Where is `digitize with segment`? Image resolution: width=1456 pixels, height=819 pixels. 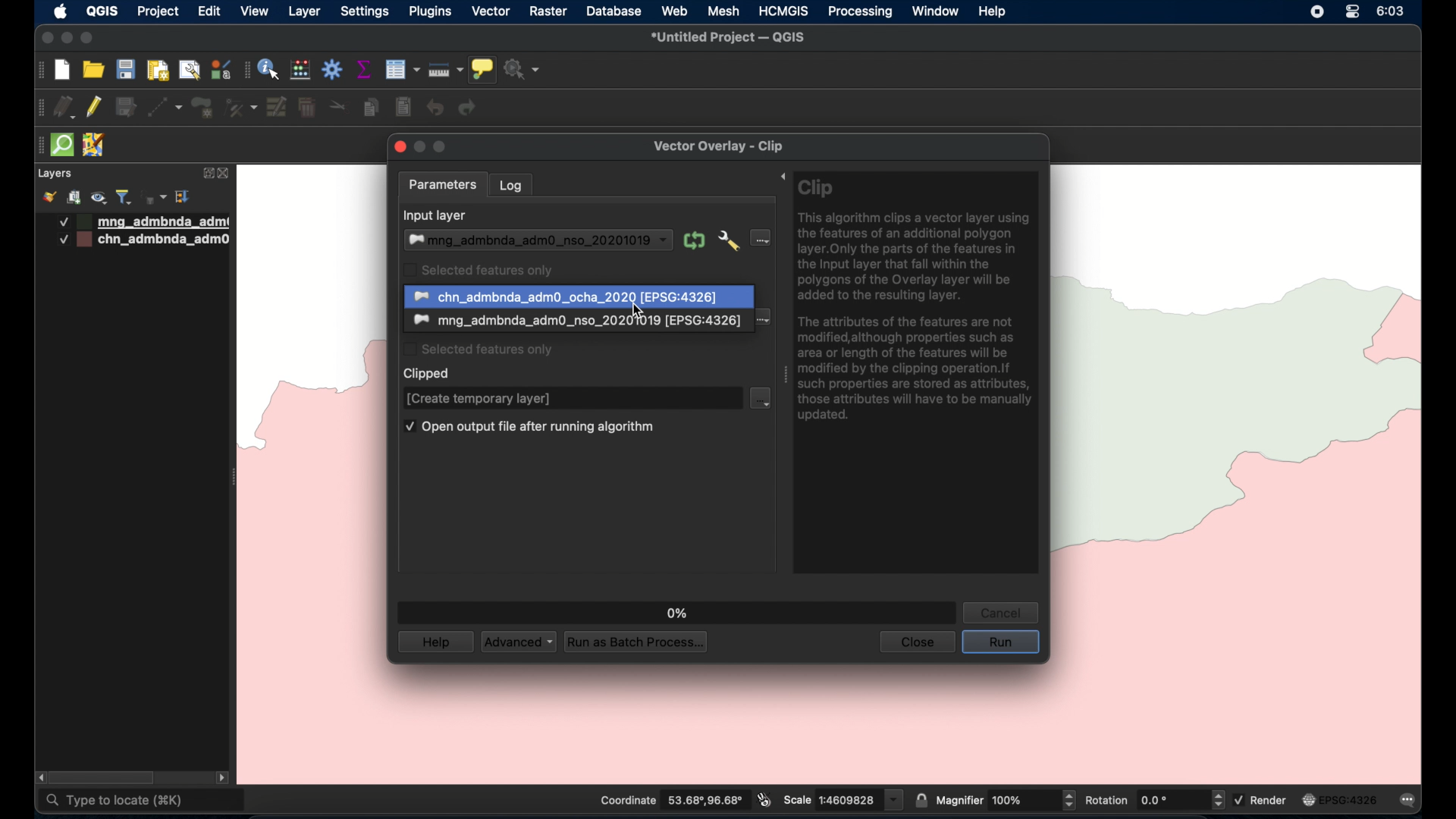 digitize with segment is located at coordinates (165, 108).